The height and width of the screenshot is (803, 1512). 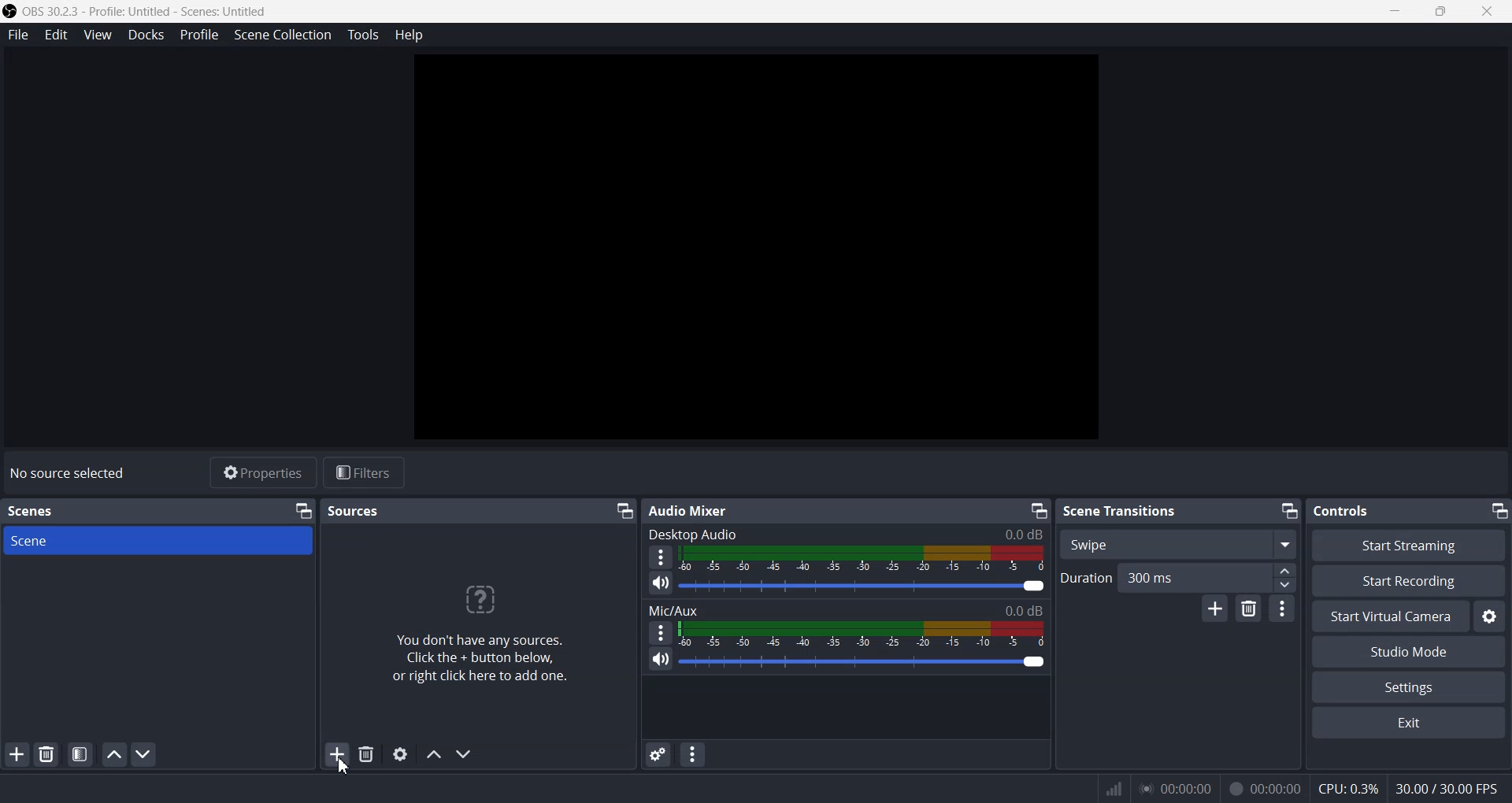 I want to click on View, so click(x=97, y=35).